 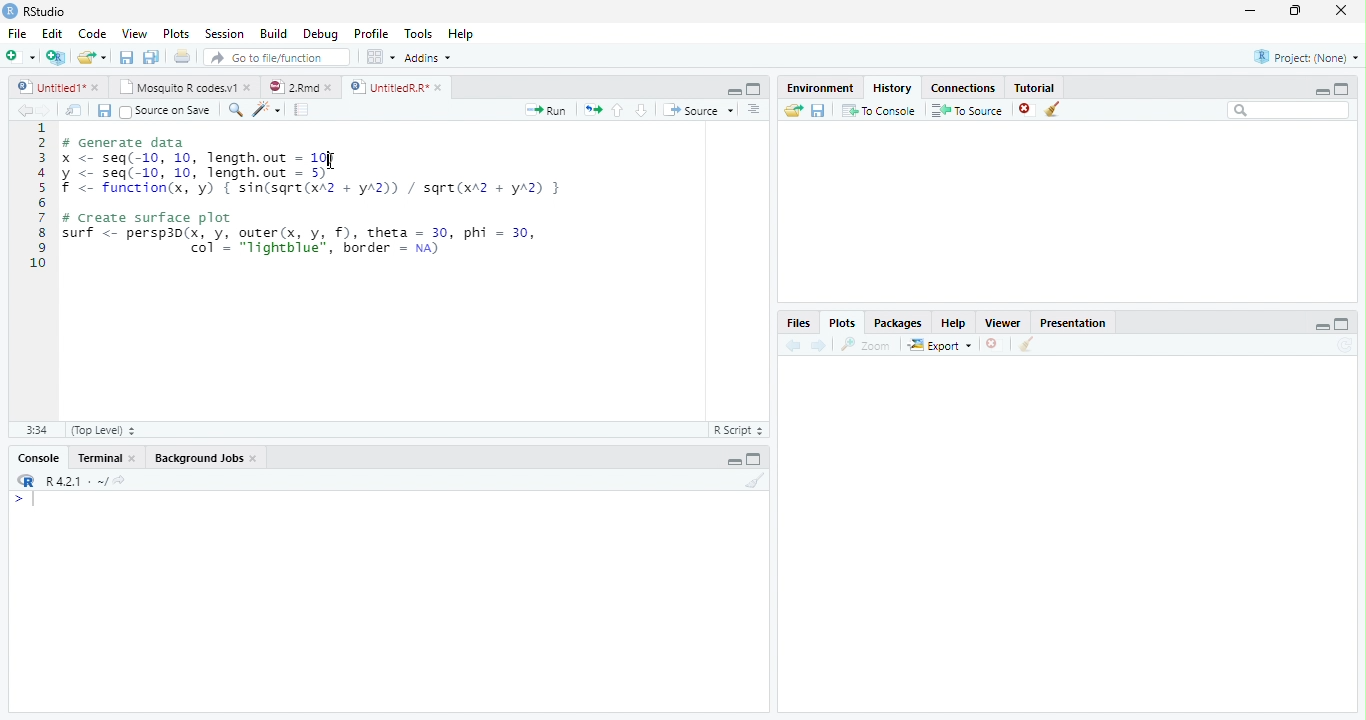 What do you see at coordinates (379, 56) in the screenshot?
I see `Workspace panes` at bounding box center [379, 56].